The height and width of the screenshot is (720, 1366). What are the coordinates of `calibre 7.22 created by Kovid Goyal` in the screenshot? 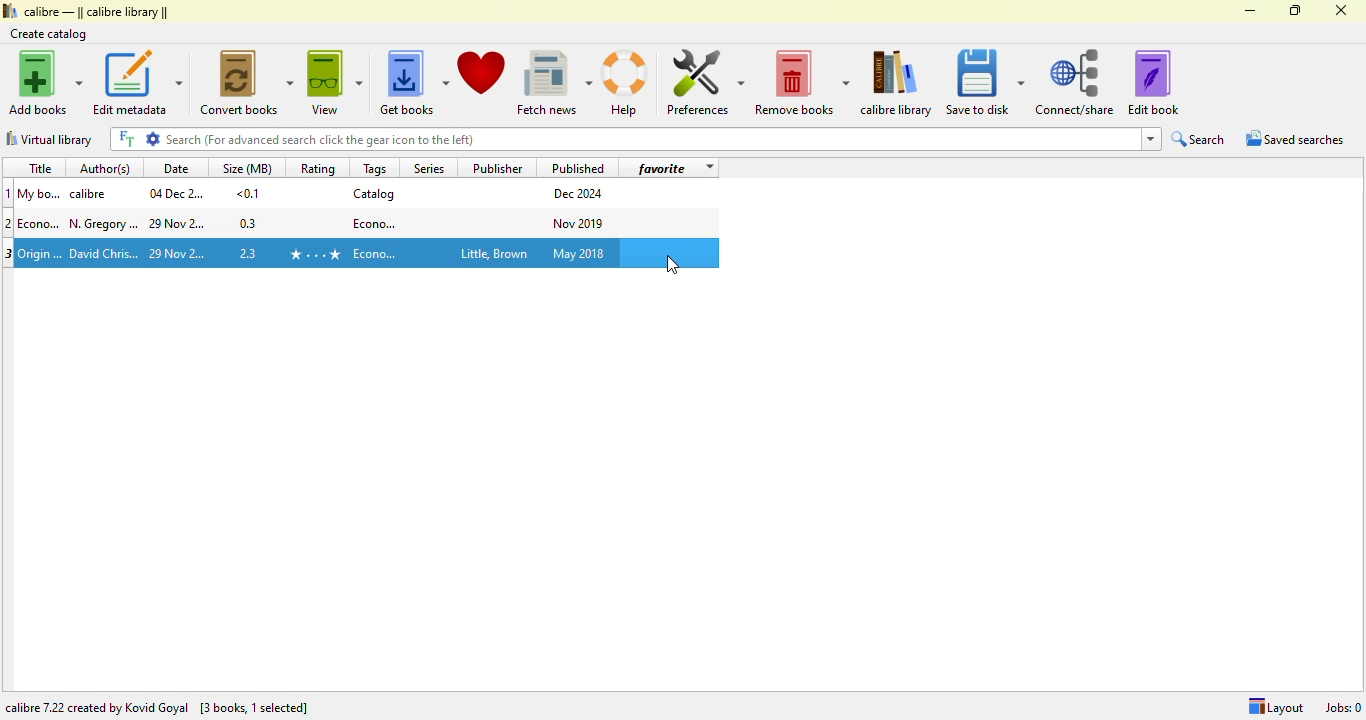 It's located at (97, 708).